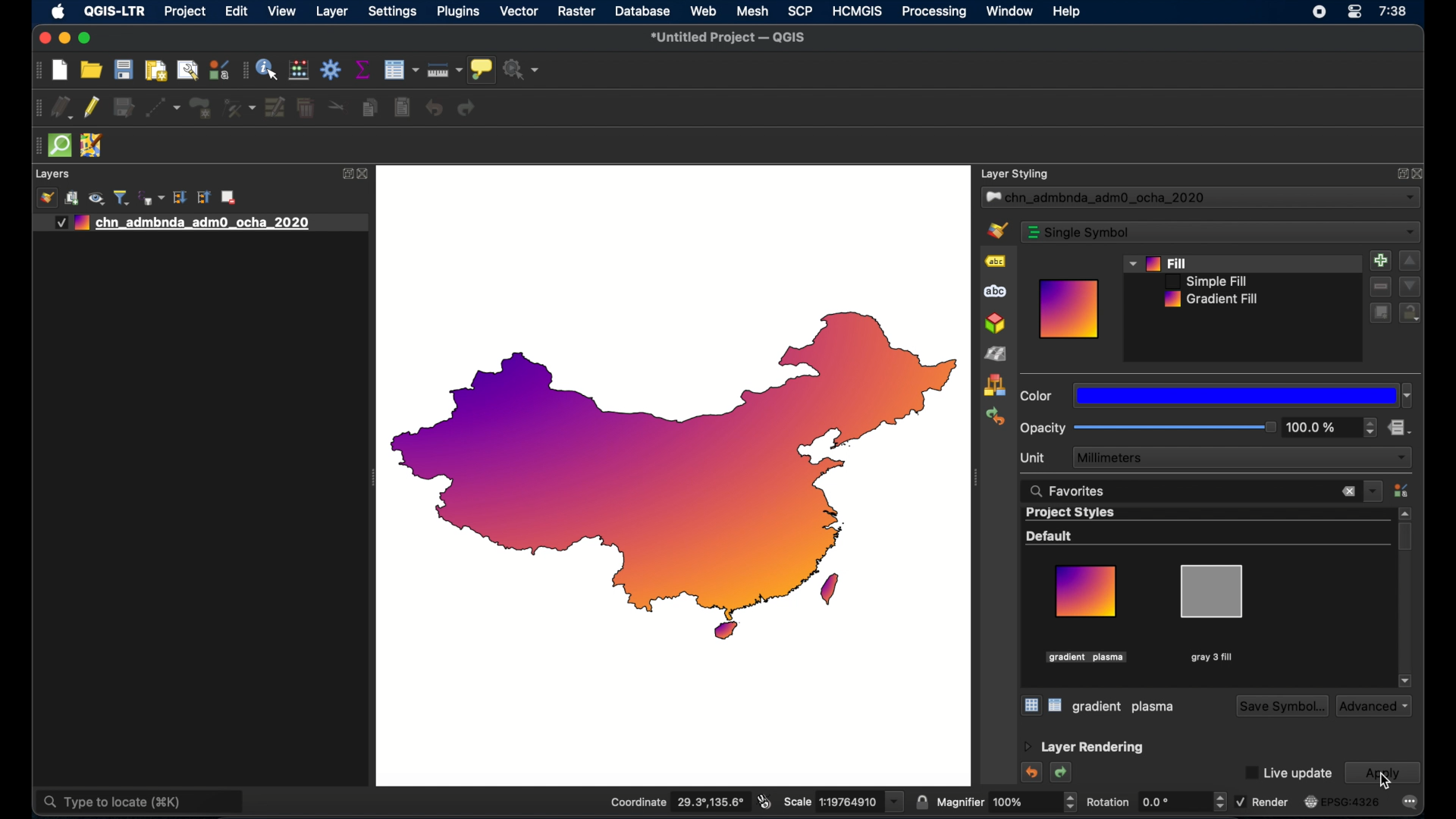 Image resolution: width=1456 pixels, height=819 pixels. Describe the element at coordinates (282, 11) in the screenshot. I see `view` at that location.